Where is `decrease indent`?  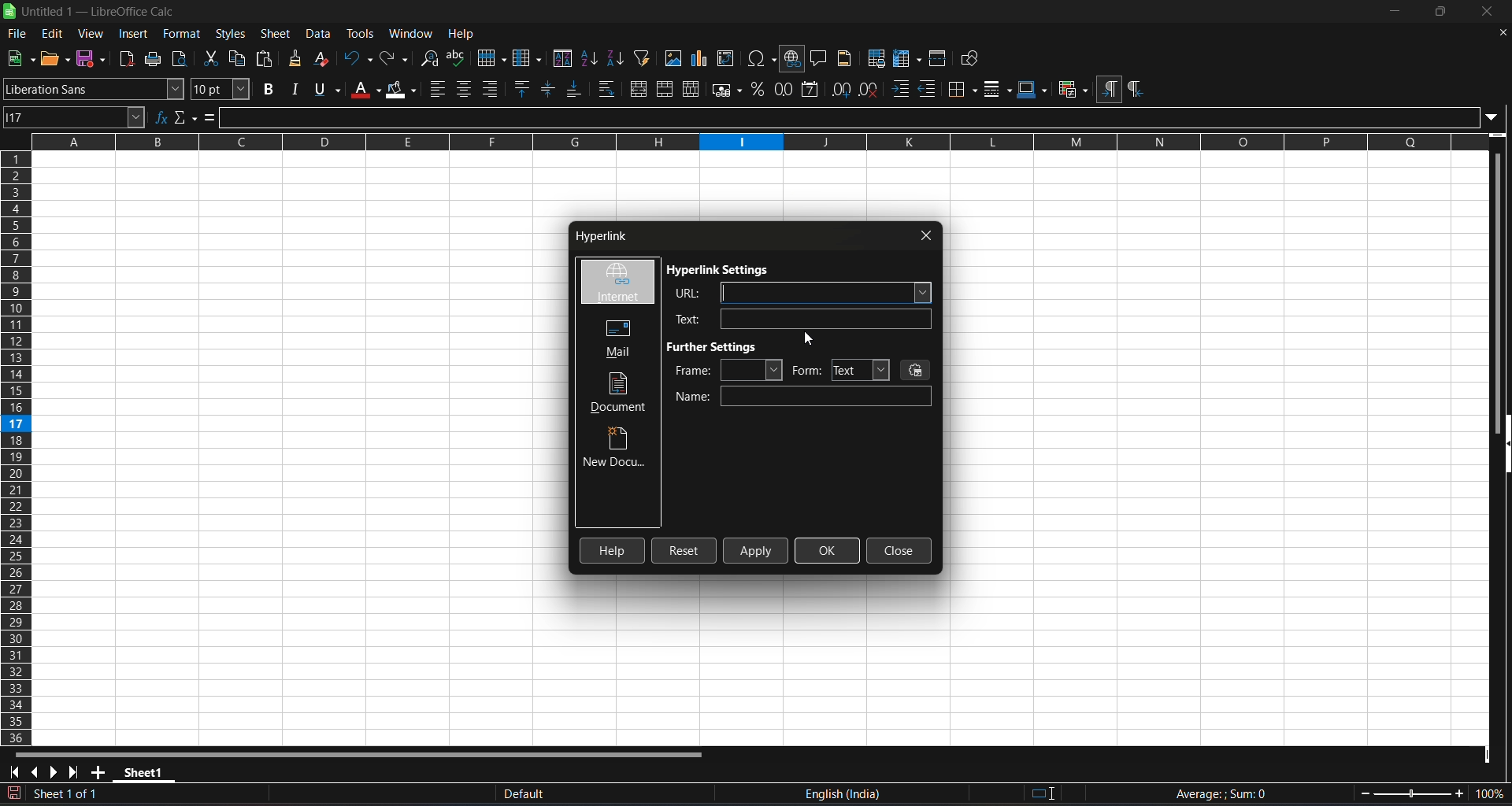 decrease indent is located at coordinates (929, 90).